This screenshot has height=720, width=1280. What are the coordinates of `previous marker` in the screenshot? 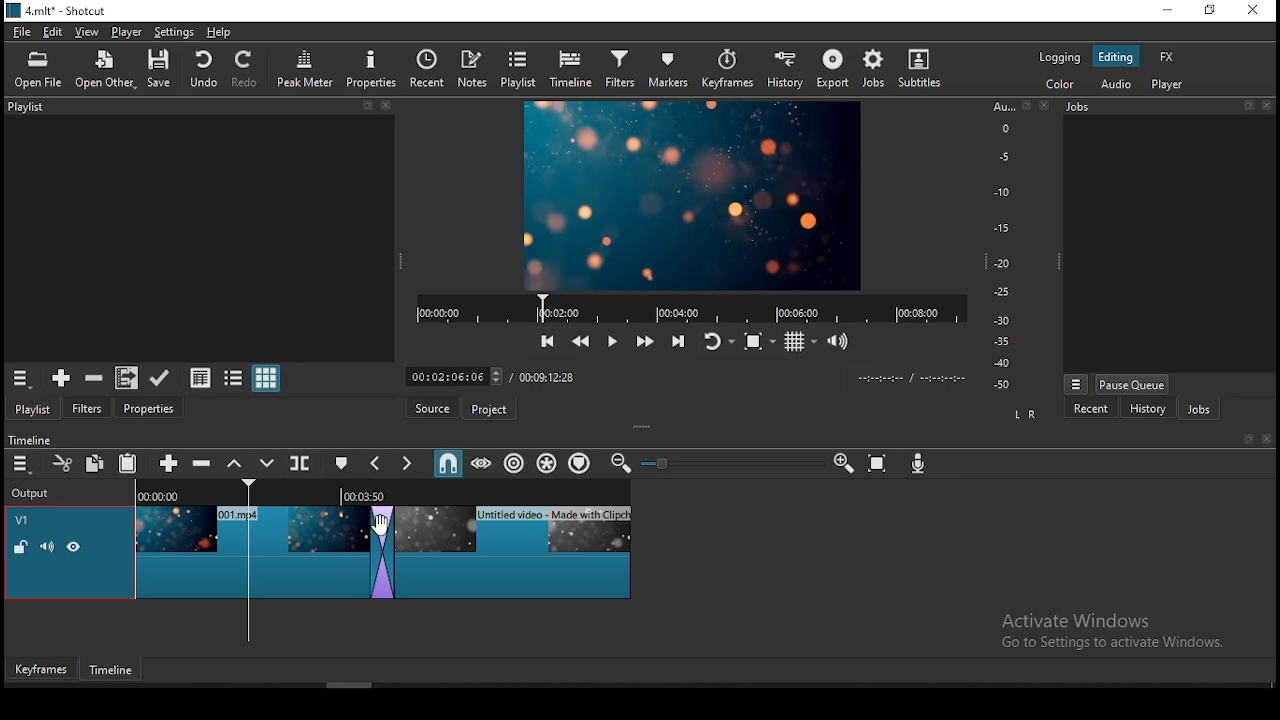 It's located at (375, 464).